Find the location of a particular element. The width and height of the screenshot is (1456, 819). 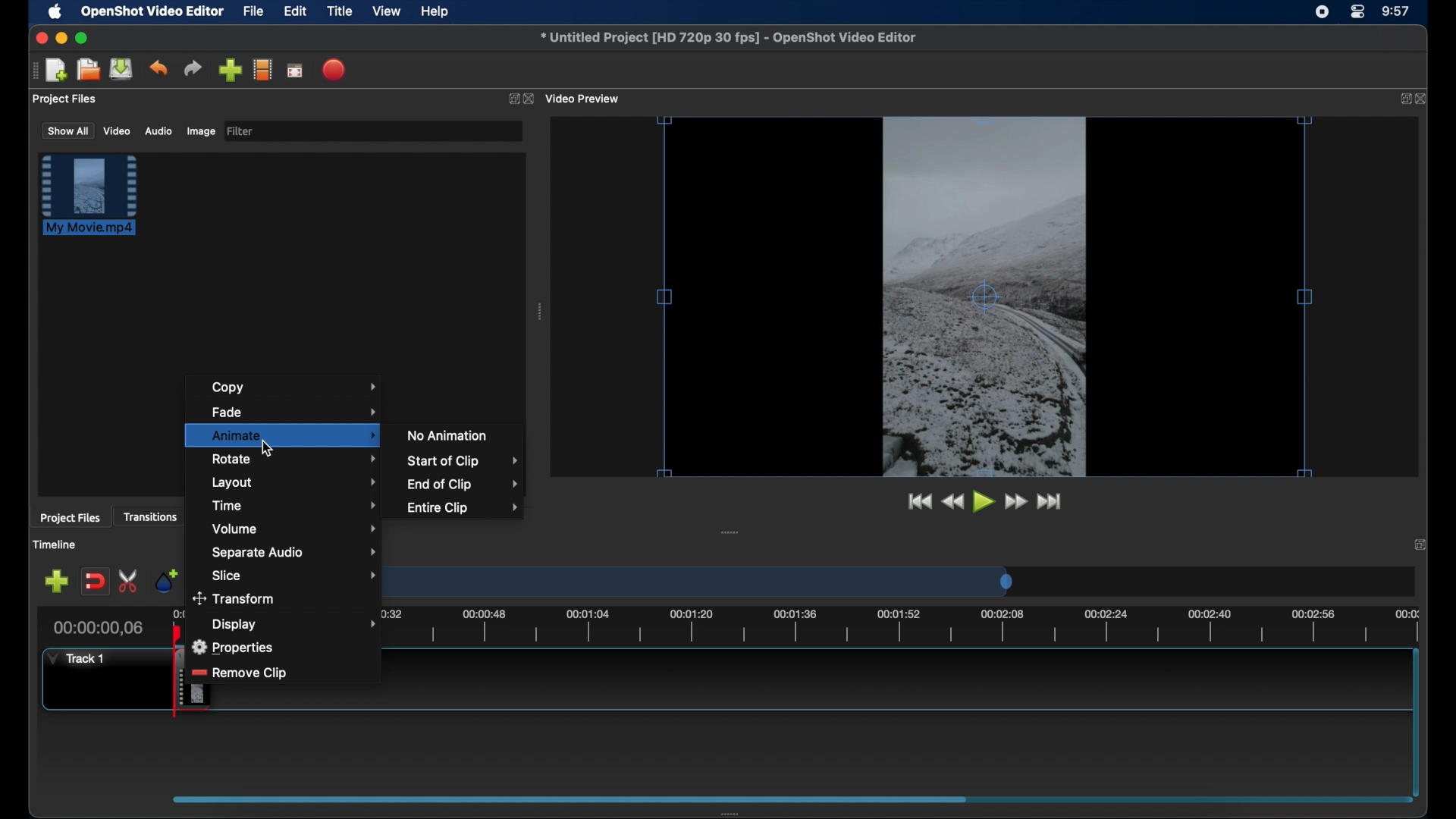

expand is located at coordinates (511, 99).